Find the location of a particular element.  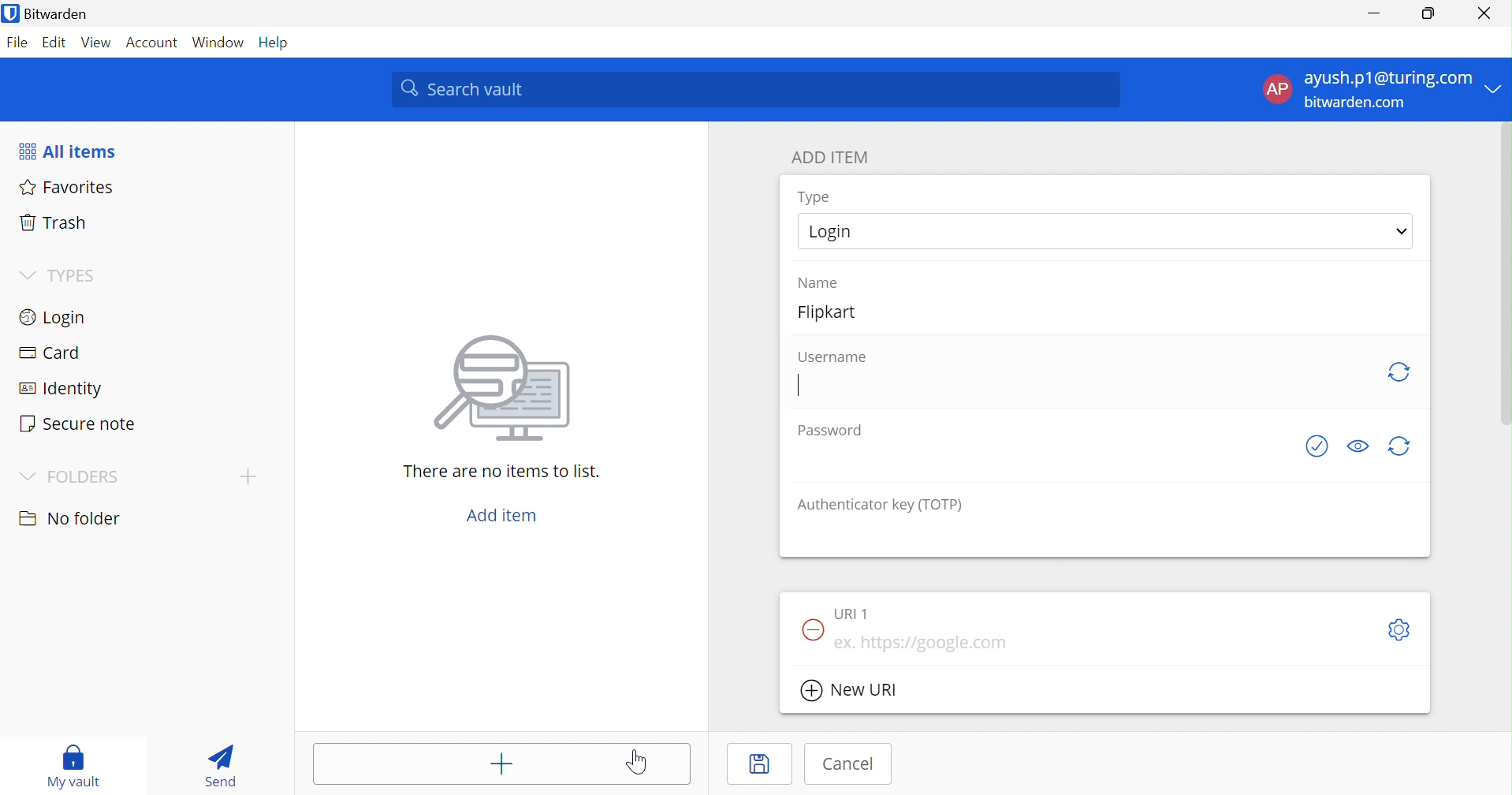

Name is located at coordinates (821, 281).